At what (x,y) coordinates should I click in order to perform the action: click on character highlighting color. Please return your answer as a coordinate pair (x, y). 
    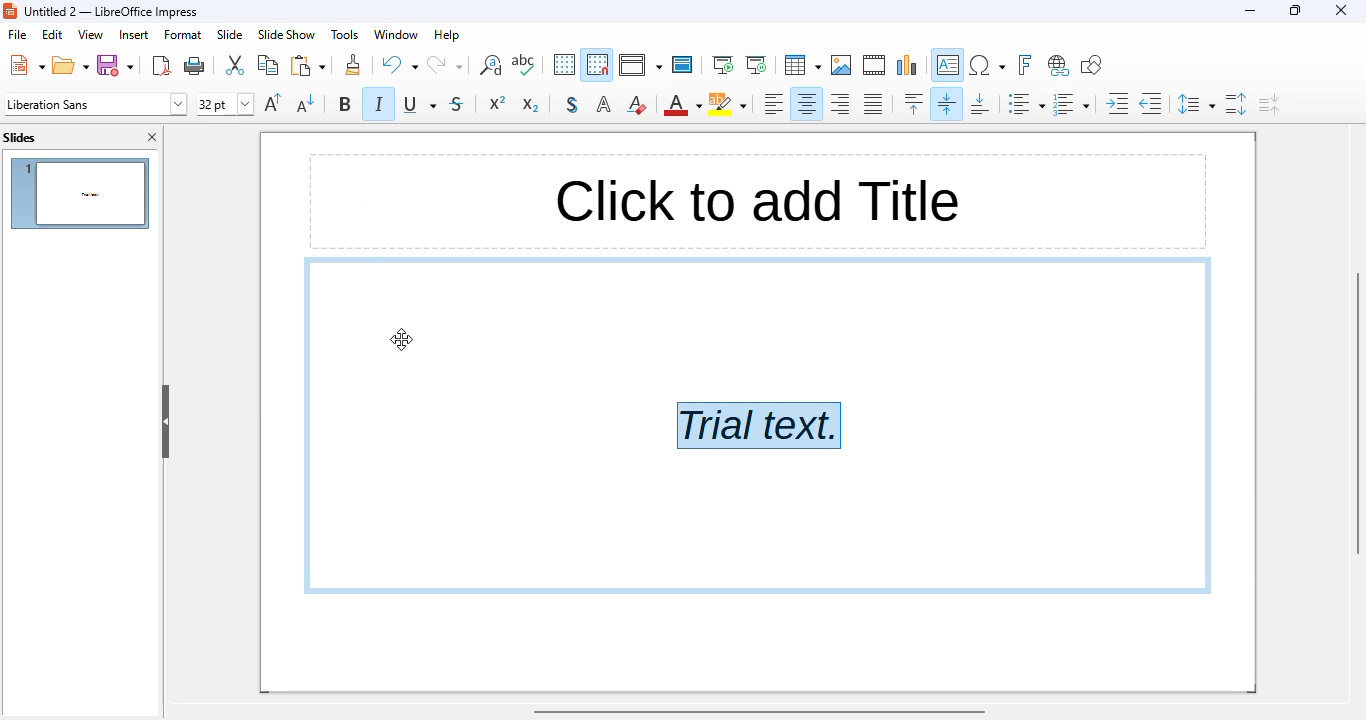
    Looking at the image, I should click on (727, 104).